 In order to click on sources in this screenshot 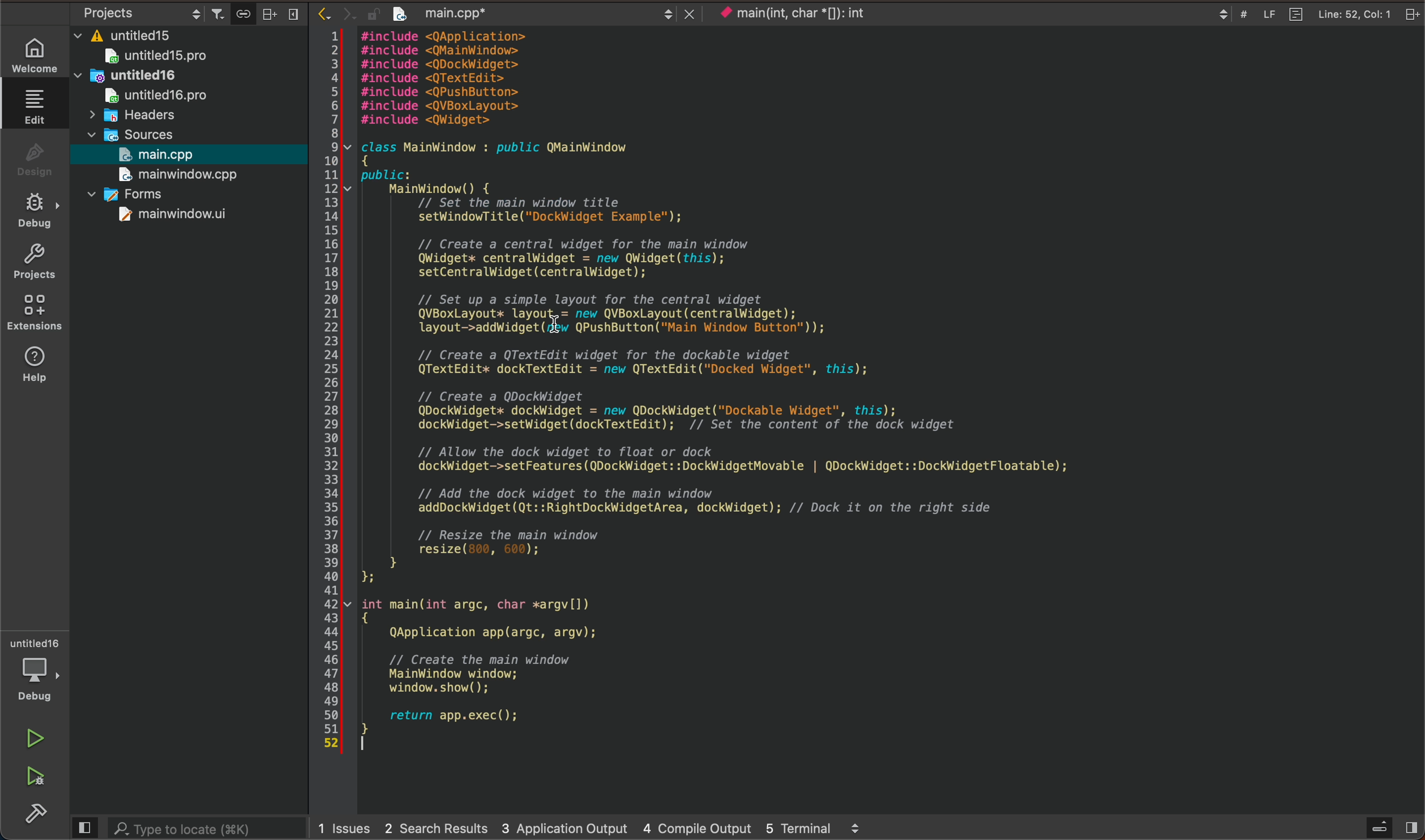, I will do `click(141, 132)`.